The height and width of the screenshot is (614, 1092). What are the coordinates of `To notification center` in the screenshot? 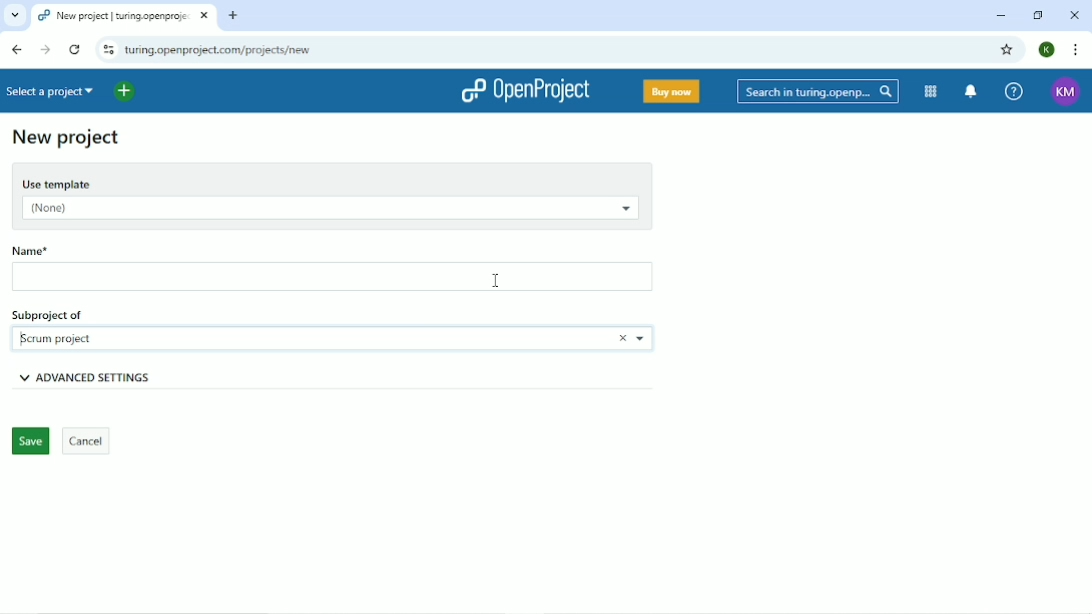 It's located at (972, 91).